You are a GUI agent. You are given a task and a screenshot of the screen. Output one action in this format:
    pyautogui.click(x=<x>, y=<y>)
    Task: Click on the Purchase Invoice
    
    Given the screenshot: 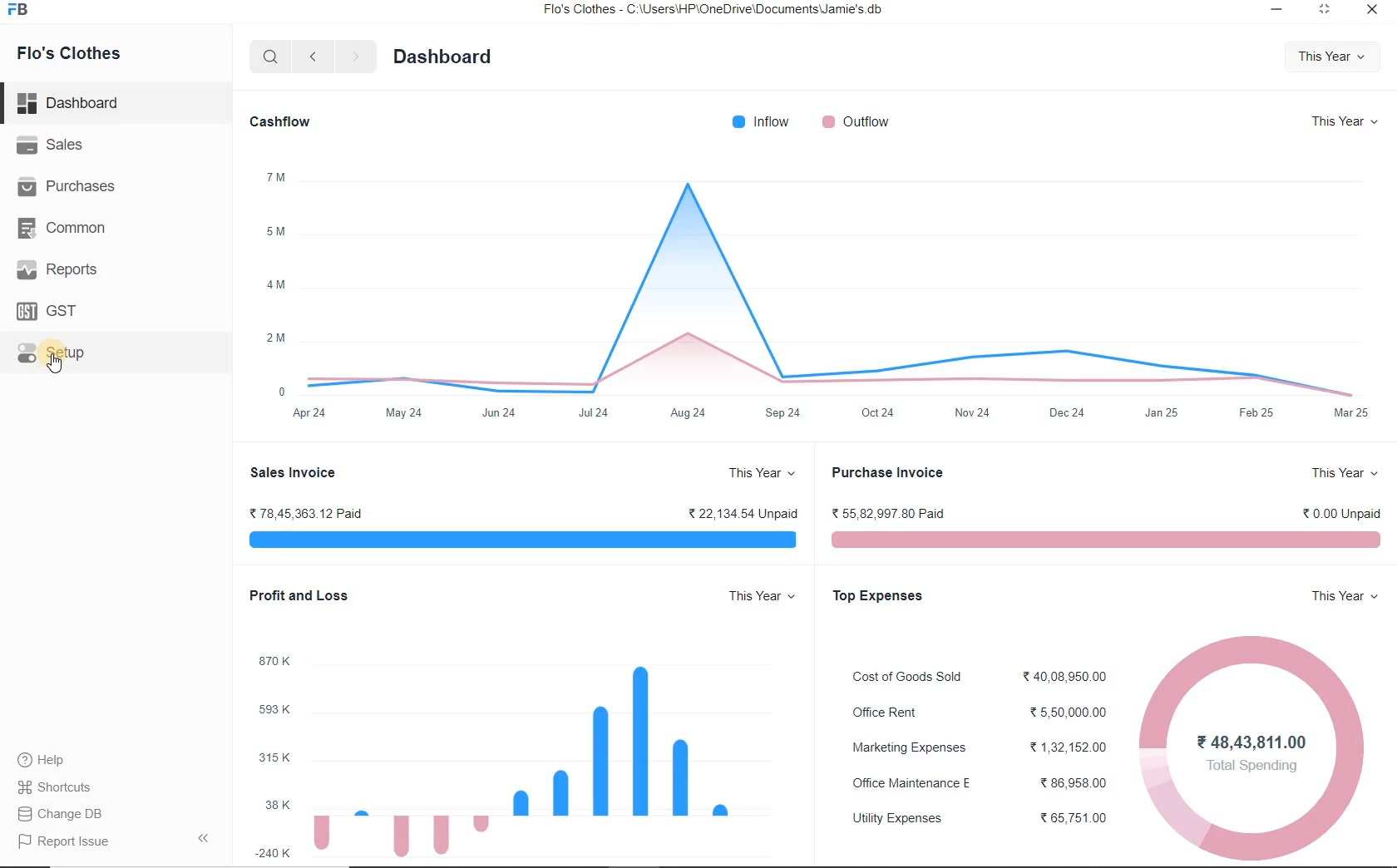 What is the action you would take?
    pyautogui.click(x=891, y=471)
    